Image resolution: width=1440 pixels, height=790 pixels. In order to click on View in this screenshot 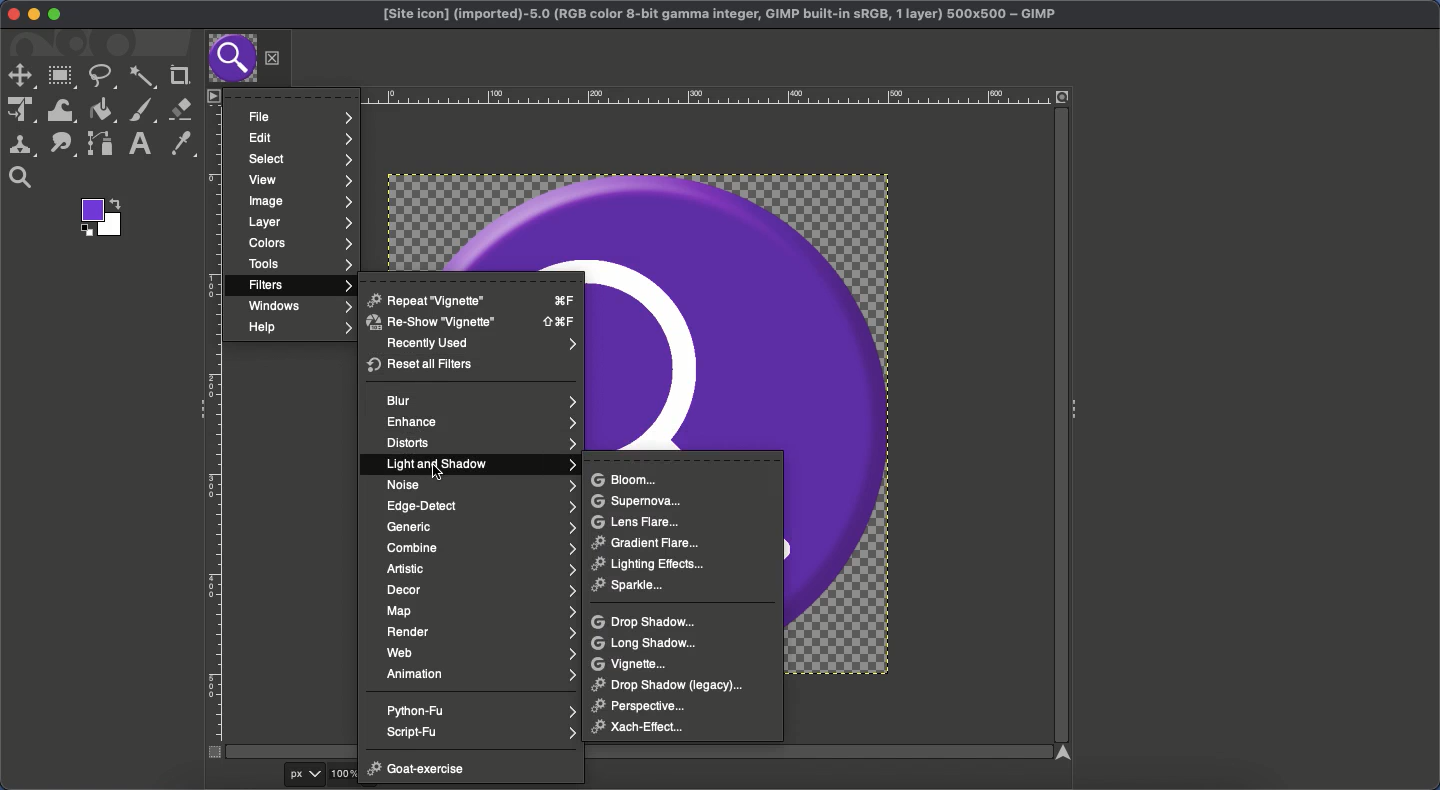, I will do `click(297, 179)`.